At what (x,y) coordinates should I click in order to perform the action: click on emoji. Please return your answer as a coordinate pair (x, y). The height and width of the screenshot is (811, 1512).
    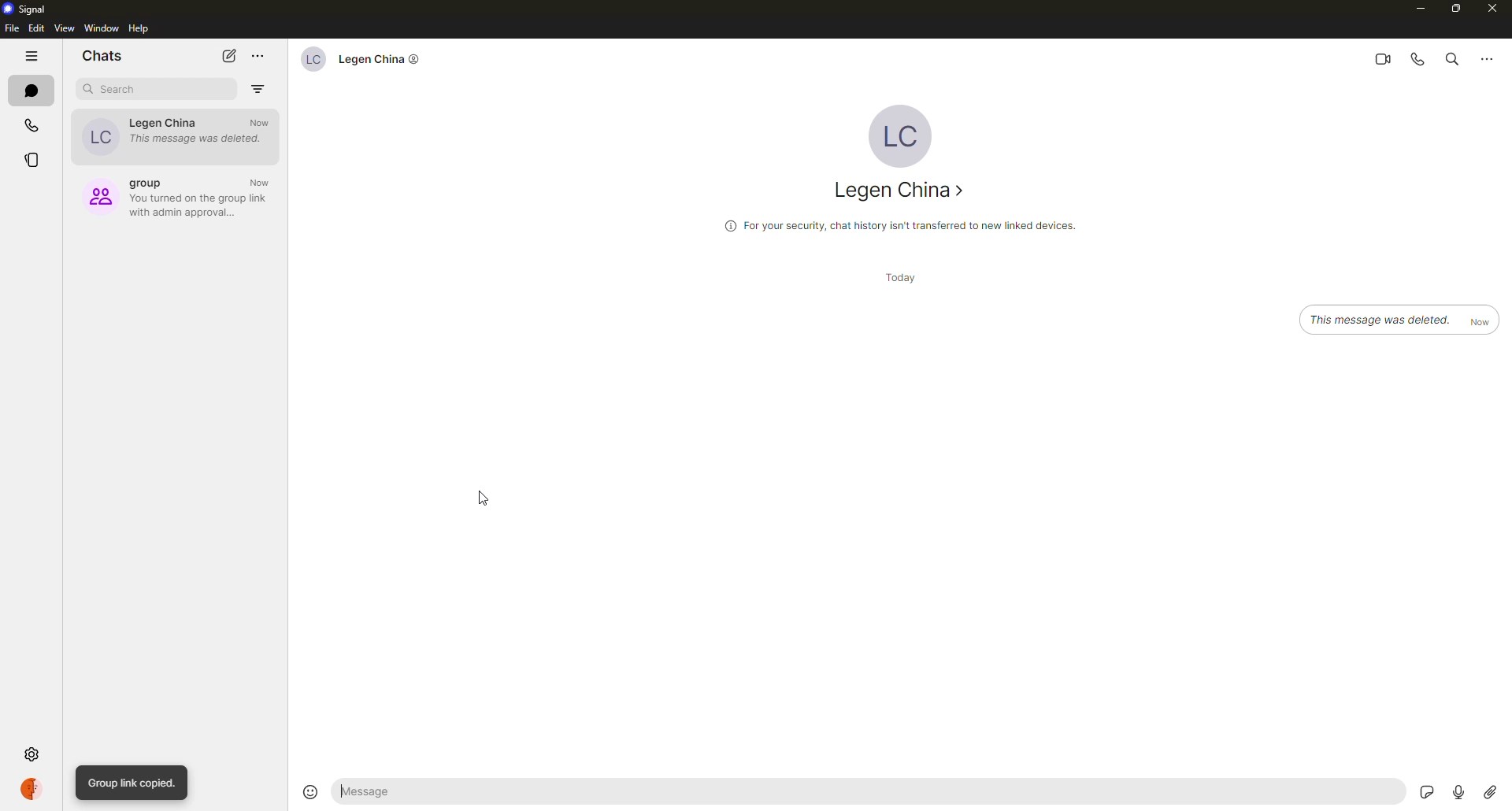
    Looking at the image, I should click on (309, 791).